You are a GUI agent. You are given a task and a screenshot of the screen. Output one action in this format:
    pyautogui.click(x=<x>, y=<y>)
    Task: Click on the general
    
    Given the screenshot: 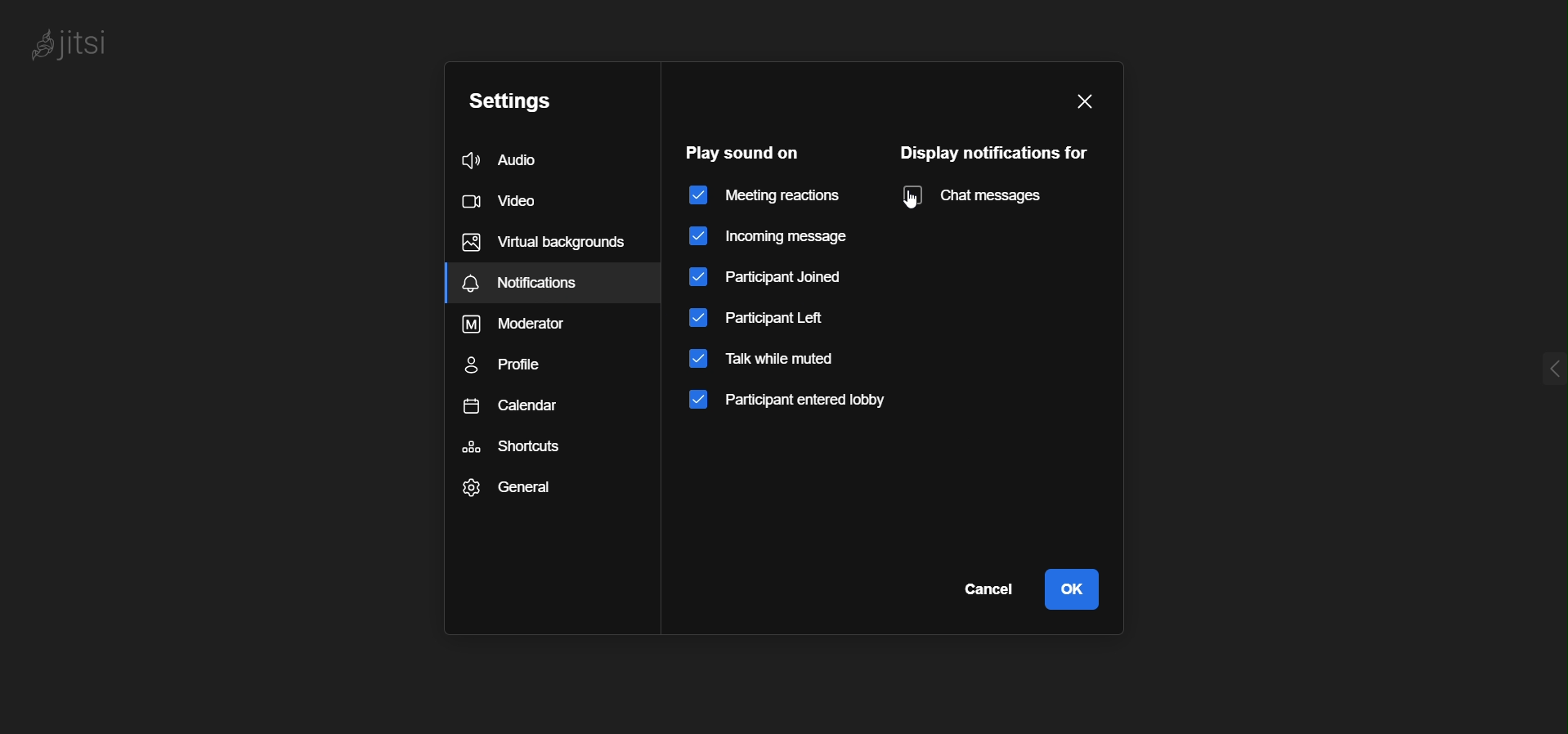 What is the action you would take?
    pyautogui.click(x=507, y=490)
    